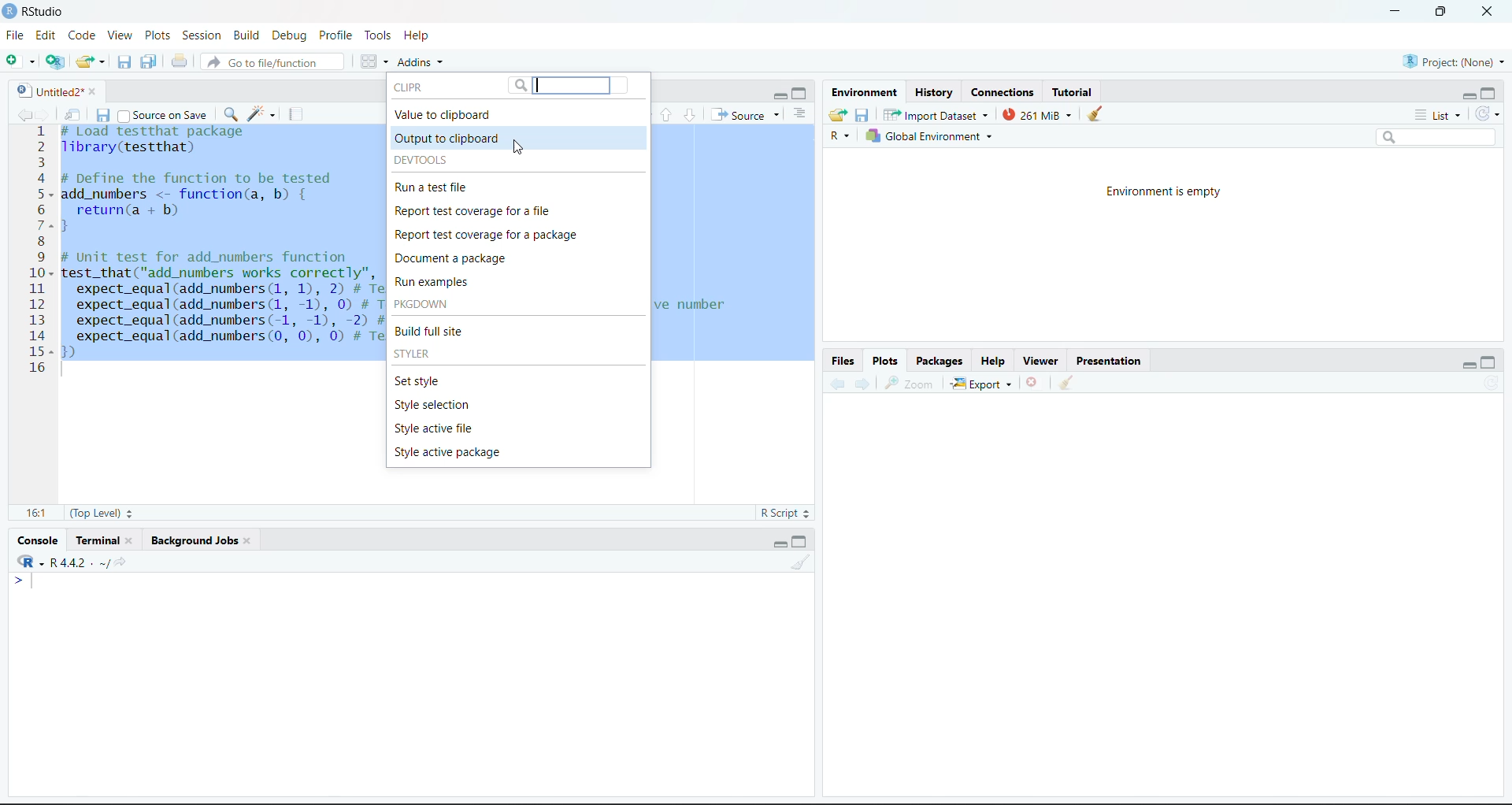 The image size is (1512, 805). What do you see at coordinates (245, 35) in the screenshot?
I see `Build` at bounding box center [245, 35].